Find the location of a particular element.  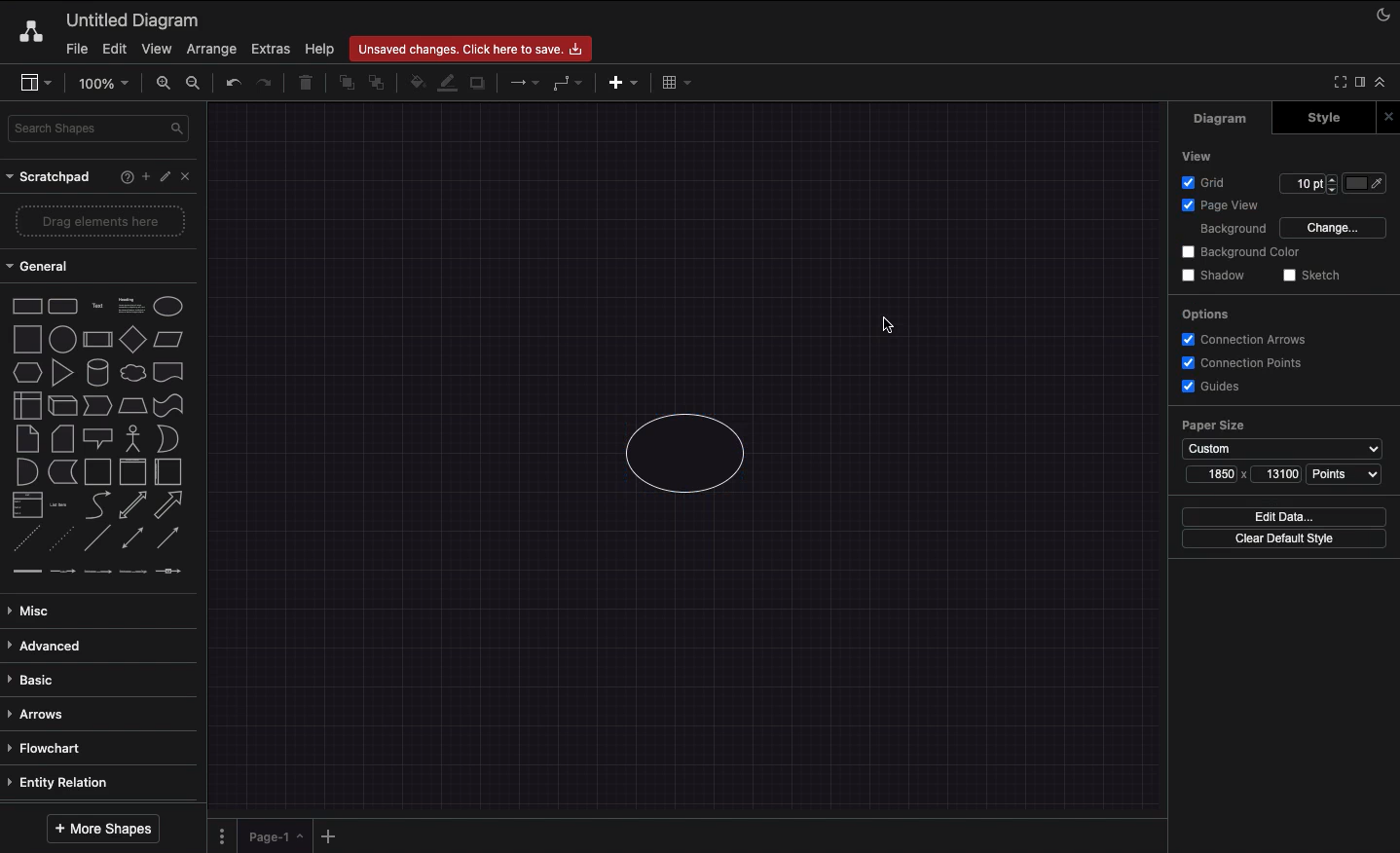

Zoom in is located at coordinates (163, 84).